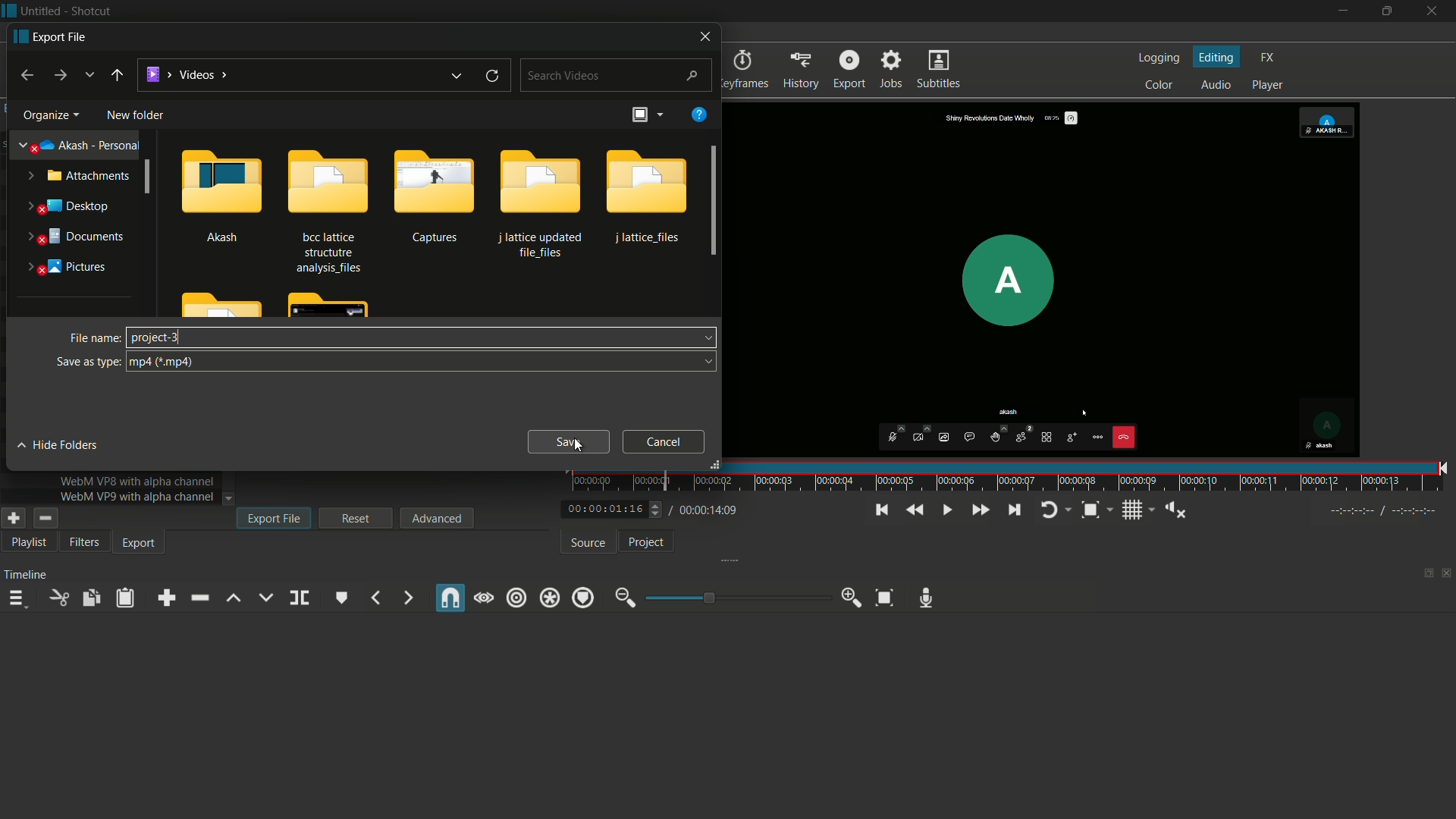 The height and width of the screenshot is (819, 1456). Describe the element at coordinates (116, 78) in the screenshot. I see `back` at that location.